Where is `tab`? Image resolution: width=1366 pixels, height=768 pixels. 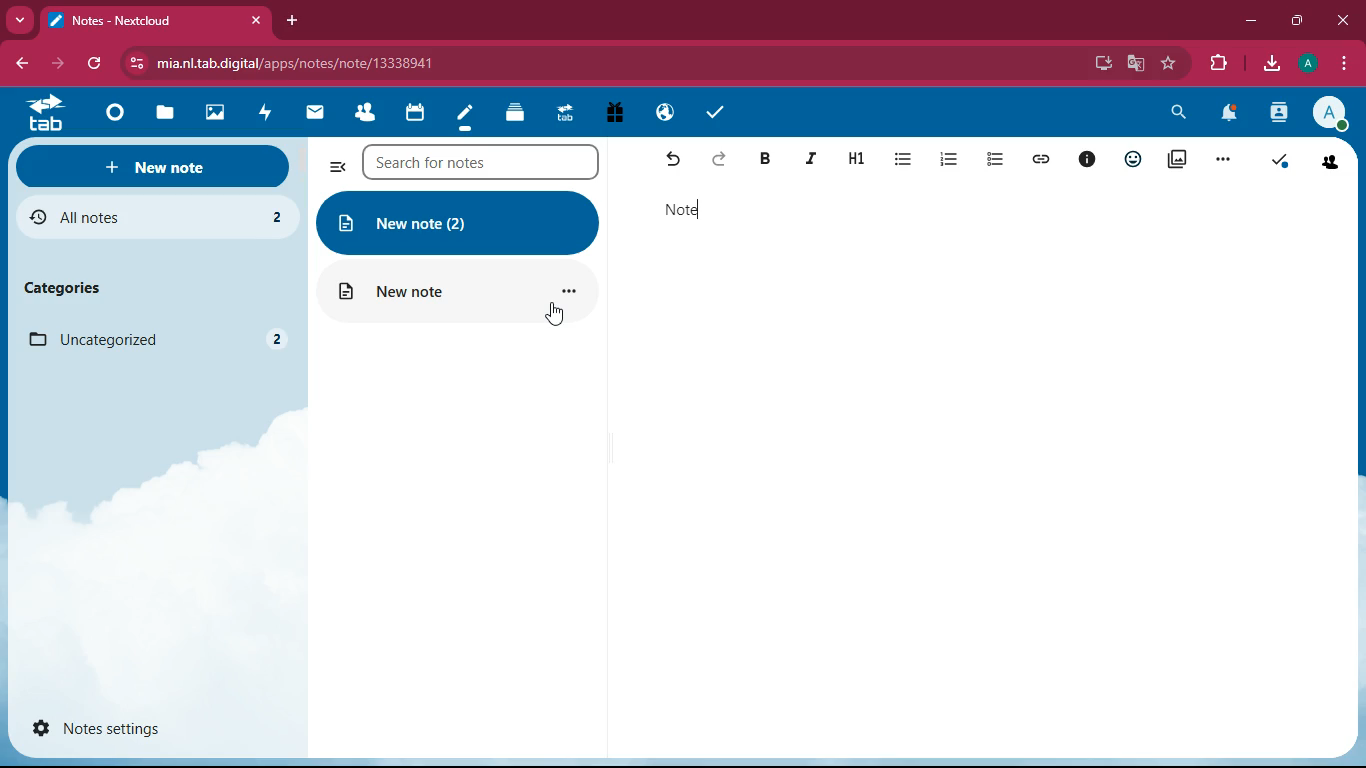
tab is located at coordinates (138, 21).